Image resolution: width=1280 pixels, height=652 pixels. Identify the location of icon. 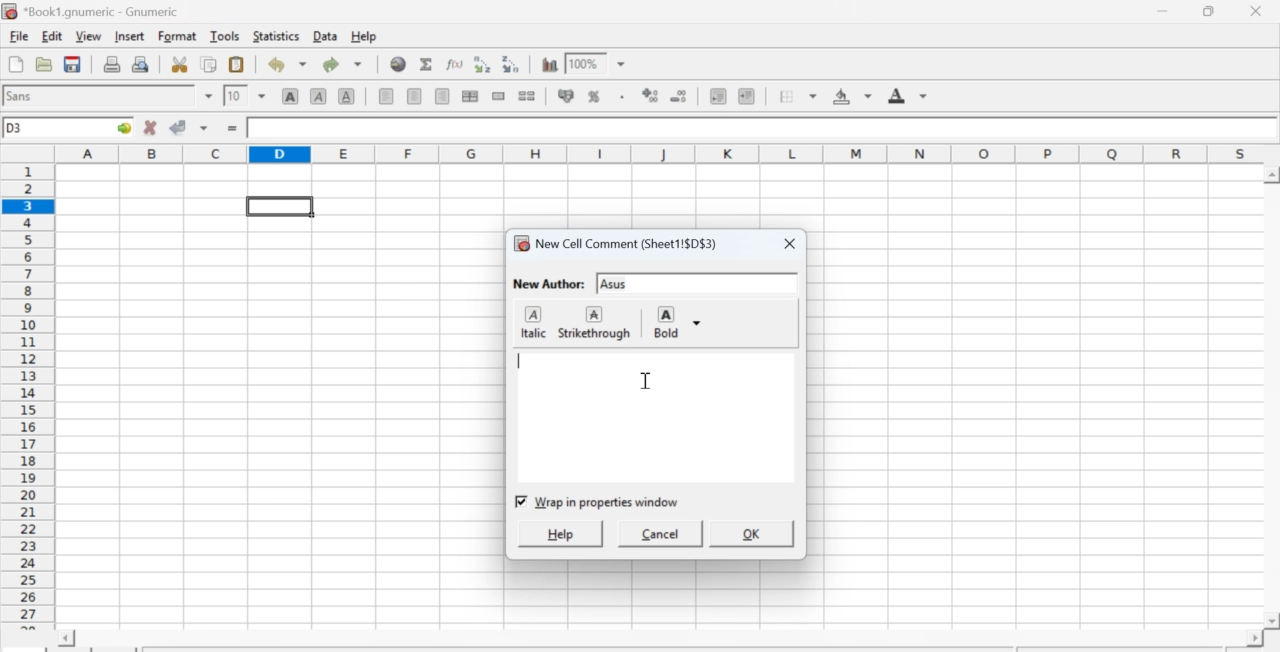
(10, 11).